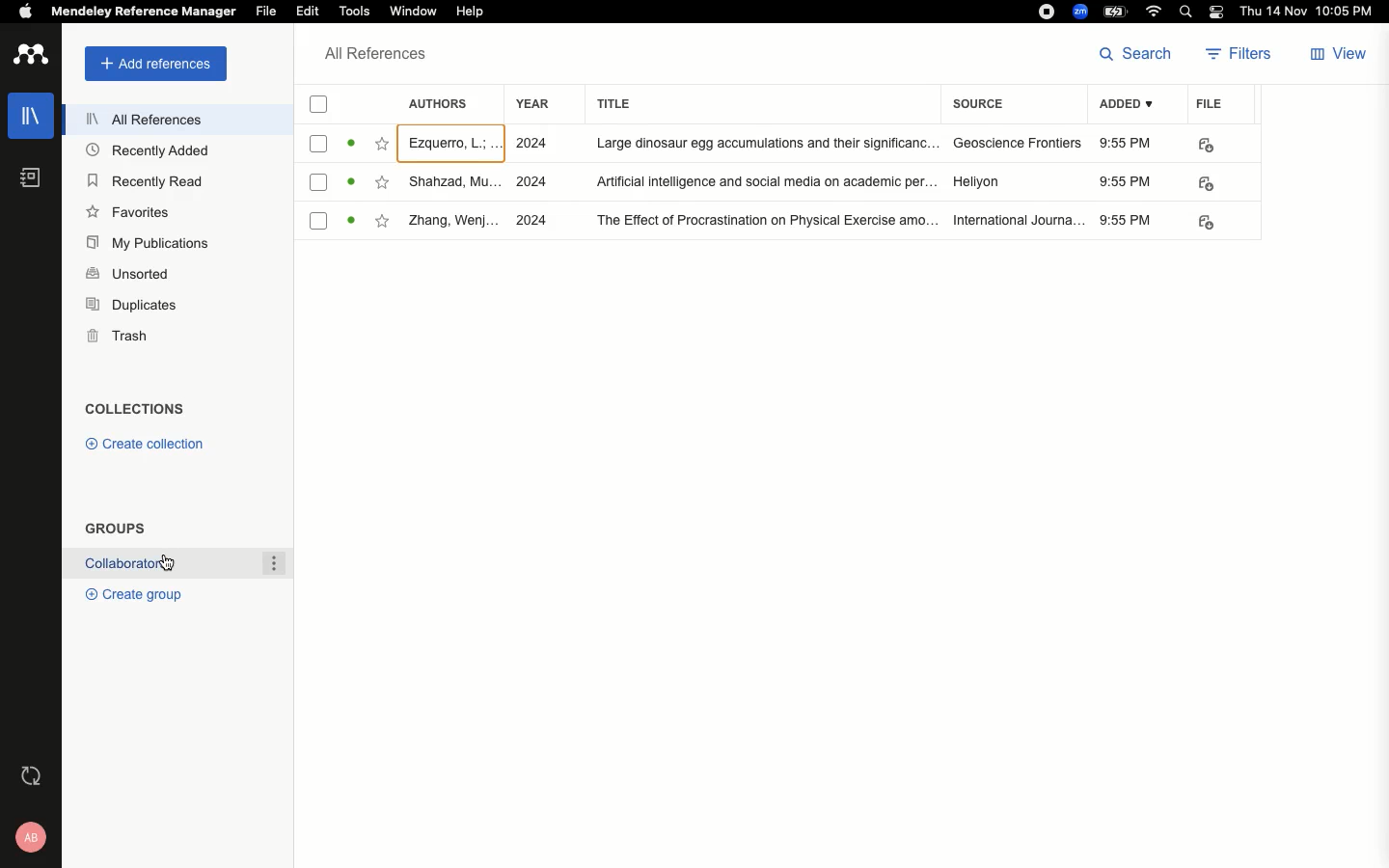  What do you see at coordinates (1341, 55) in the screenshot?
I see `View ` at bounding box center [1341, 55].